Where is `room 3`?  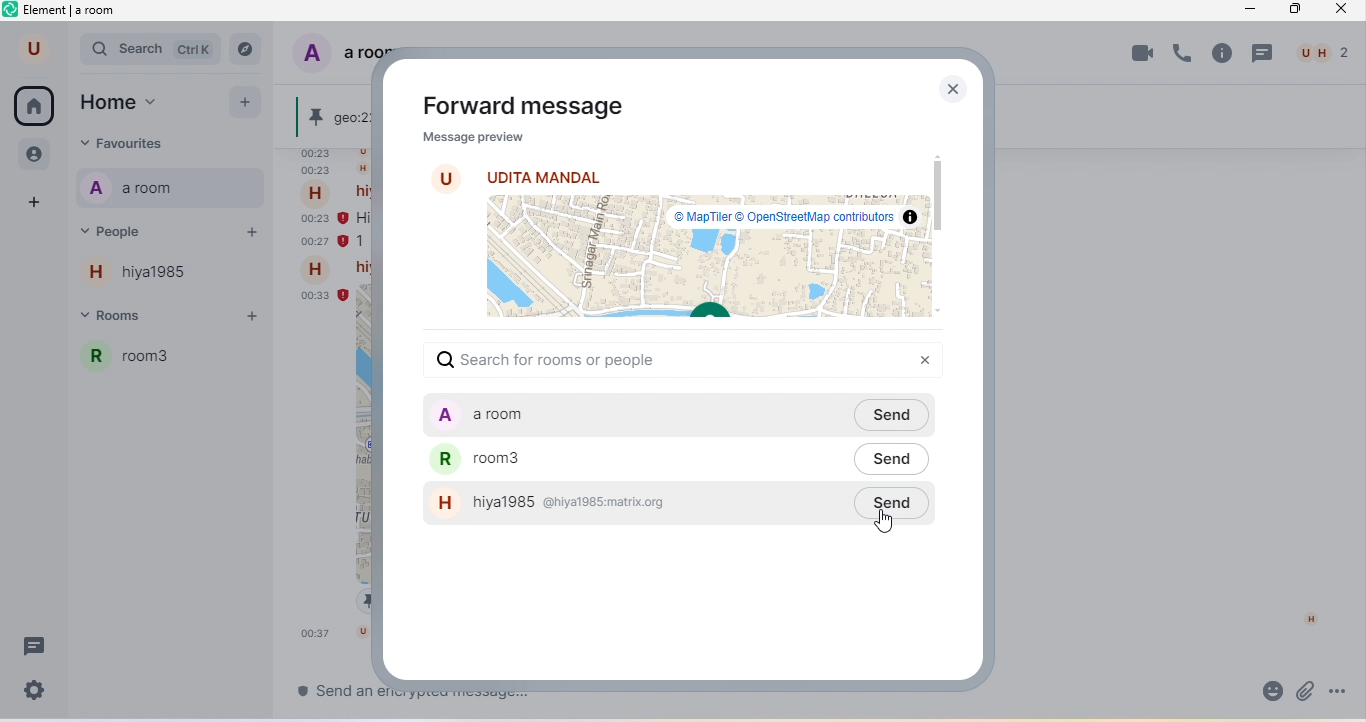
room 3 is located at coordinates (638, 457).